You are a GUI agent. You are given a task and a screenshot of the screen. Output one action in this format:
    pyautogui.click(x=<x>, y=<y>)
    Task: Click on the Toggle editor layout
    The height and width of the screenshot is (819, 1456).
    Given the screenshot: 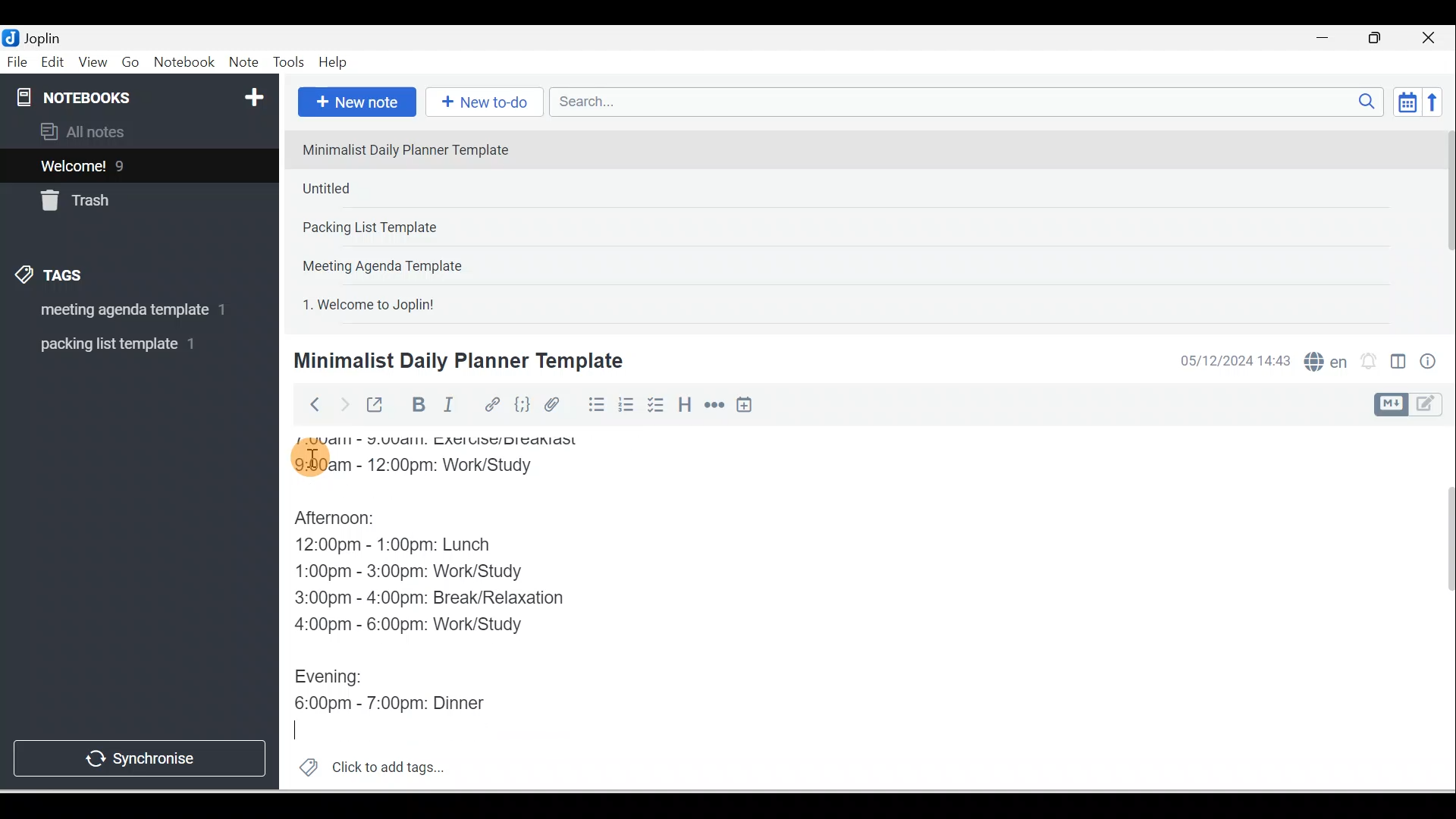 What is the action you would take?
    pyautogui.click(x=1414, y=405)
    